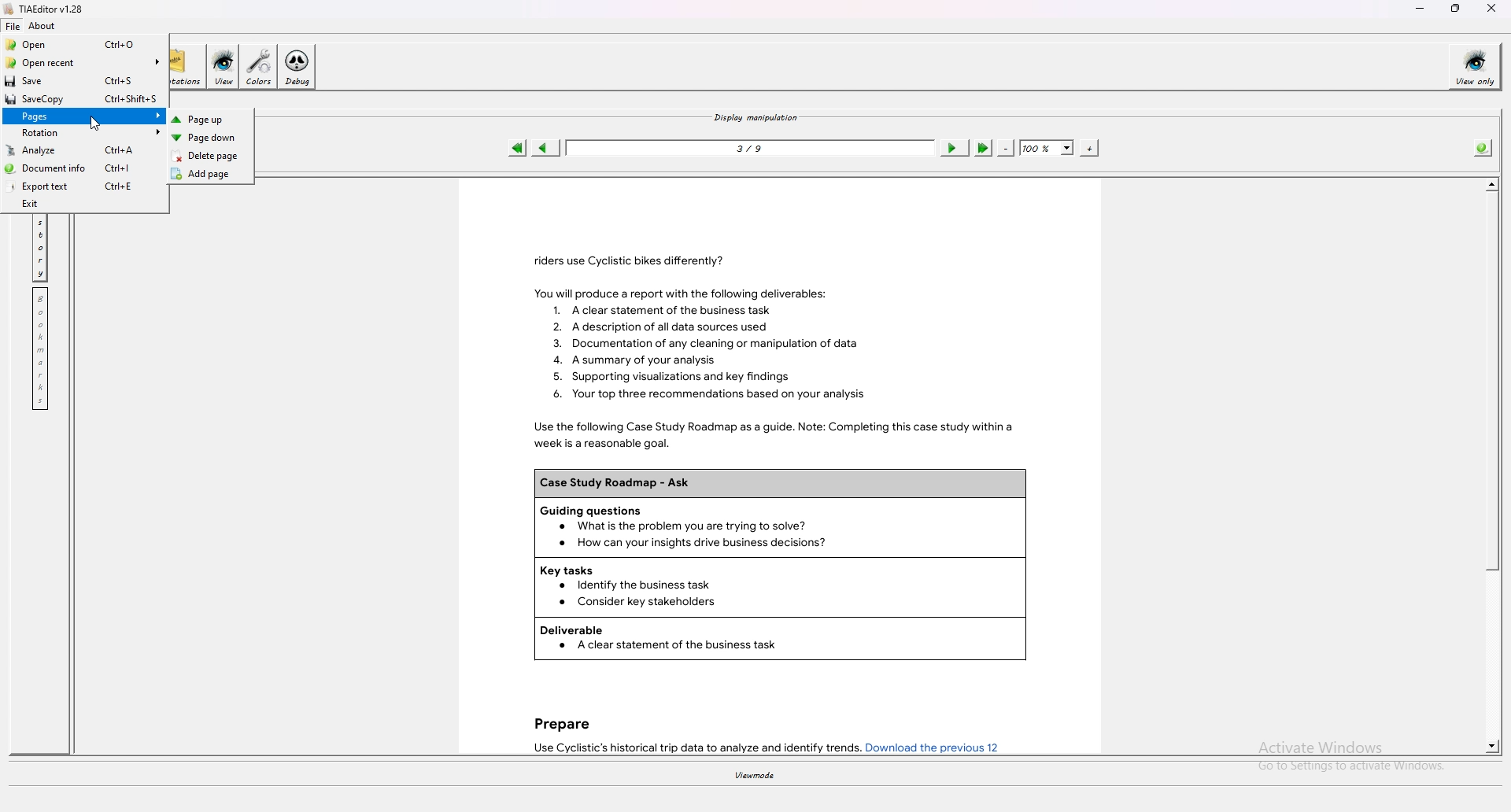 The width and height of the screenshot is (1511, 812). I want to click on Case Study Roadmap - Ask, so click(778, 483).